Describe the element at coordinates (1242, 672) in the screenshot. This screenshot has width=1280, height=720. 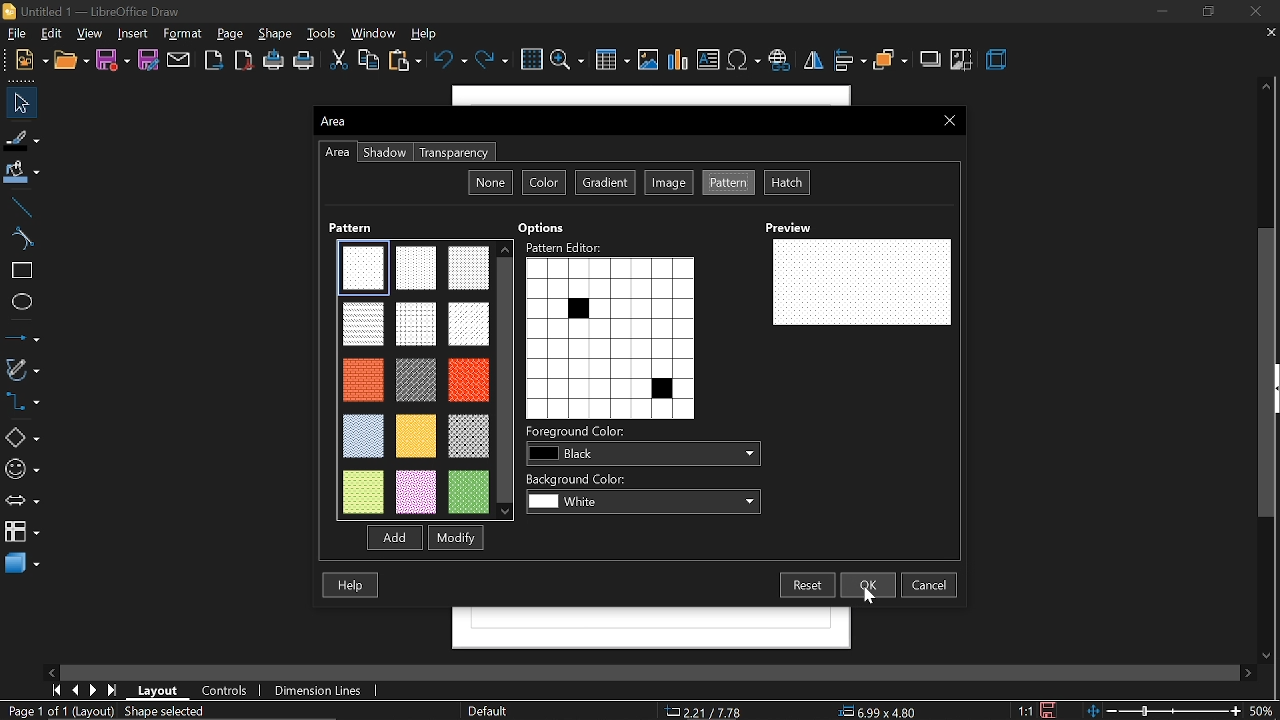
I see `move right` at that location.